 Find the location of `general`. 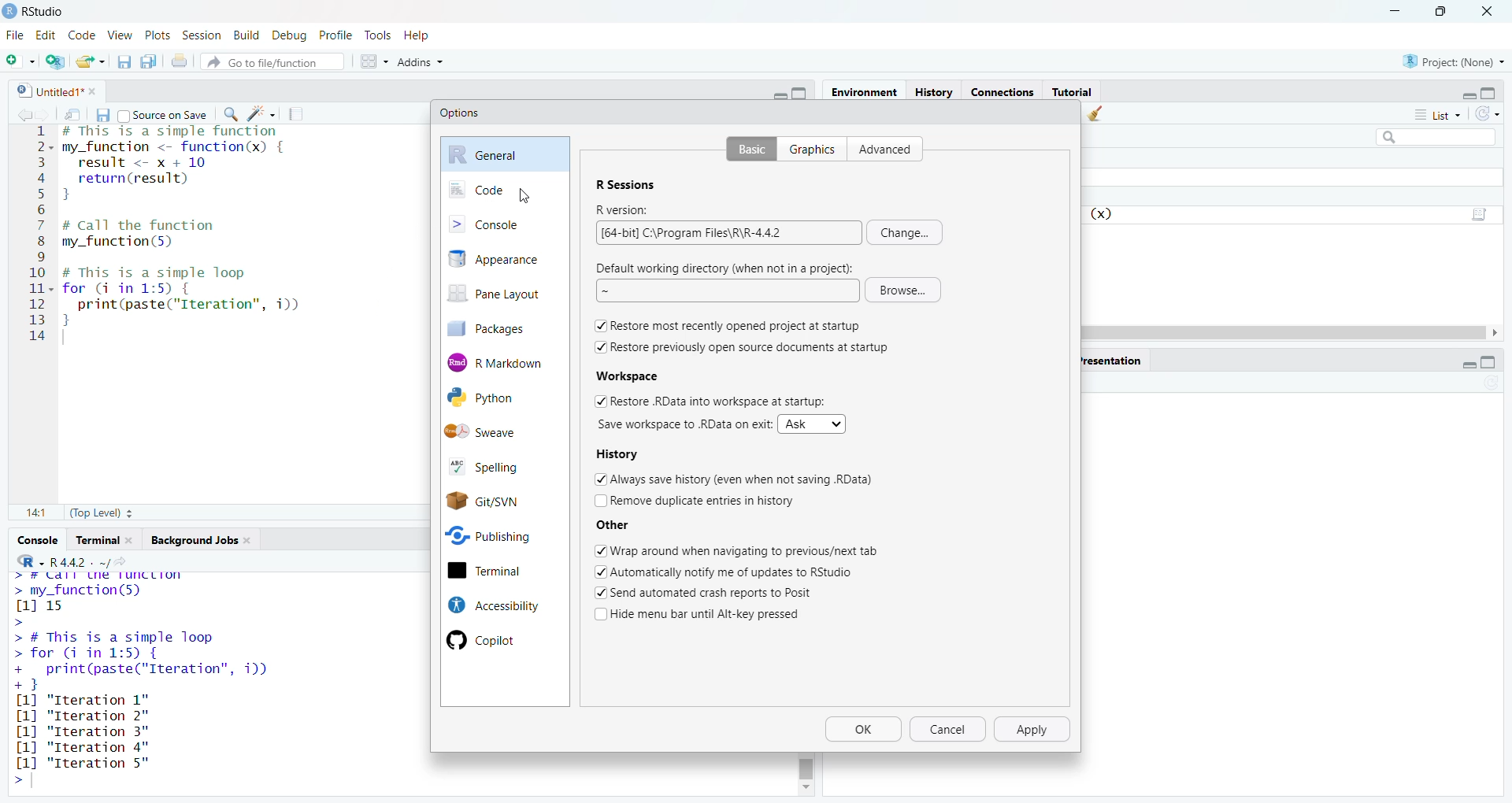

general is located at coordinates (506, 155).